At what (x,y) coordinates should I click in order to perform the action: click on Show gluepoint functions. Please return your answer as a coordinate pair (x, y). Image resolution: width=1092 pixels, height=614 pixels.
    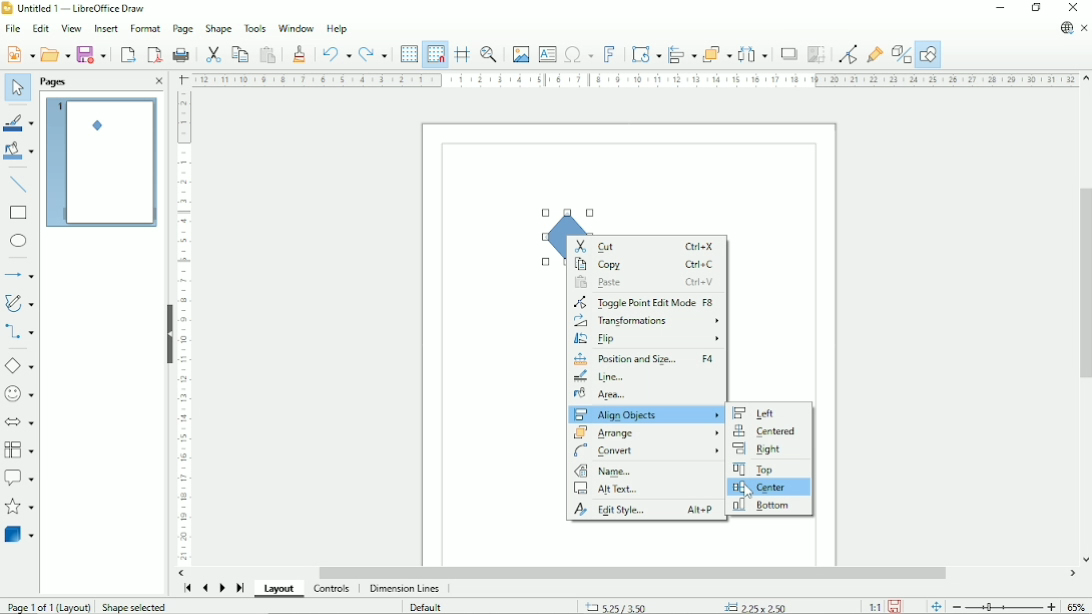
    Looking at the image, I should click on (875, 53).